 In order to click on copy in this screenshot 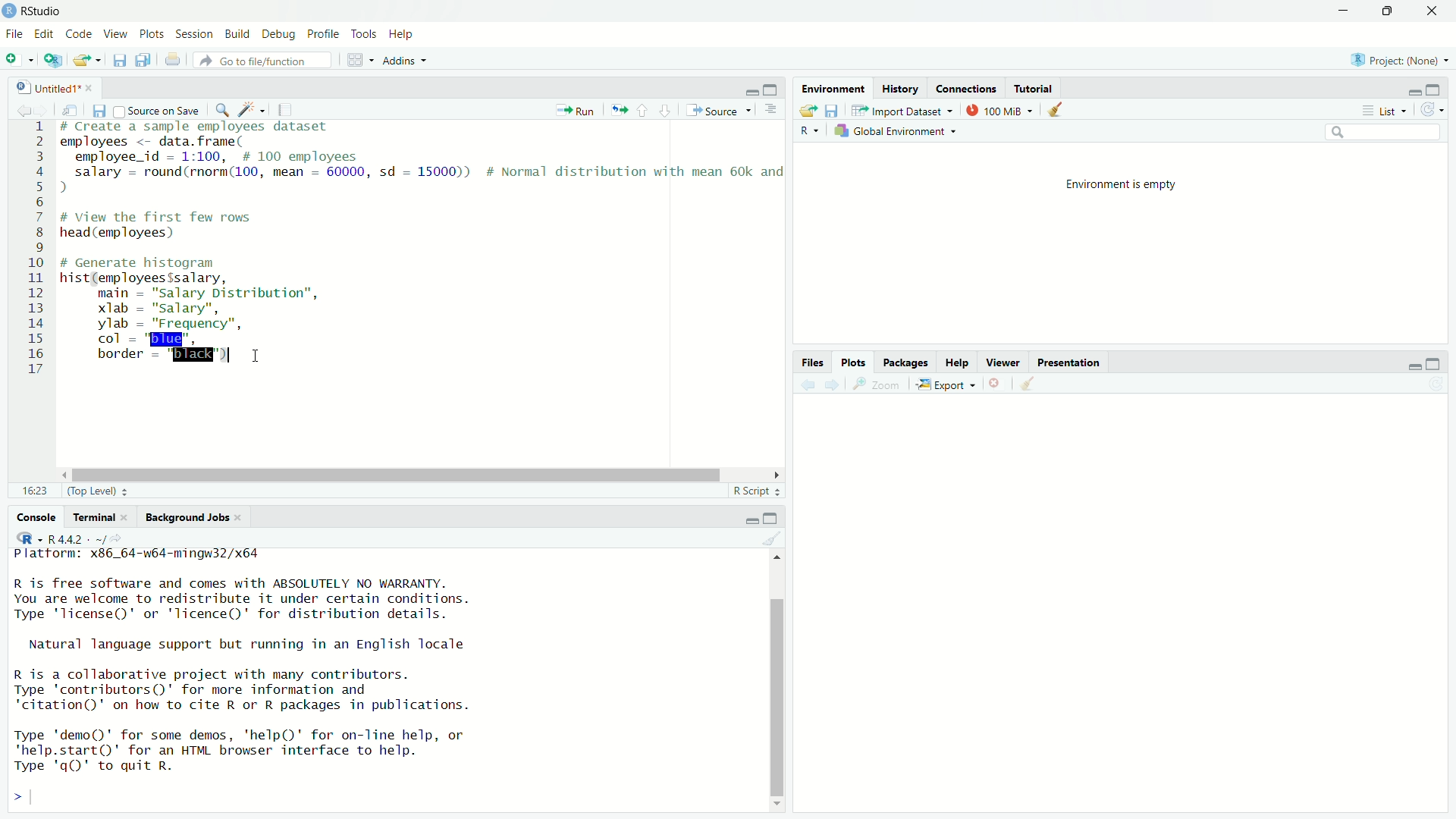, I will do `click(288, 108)`.